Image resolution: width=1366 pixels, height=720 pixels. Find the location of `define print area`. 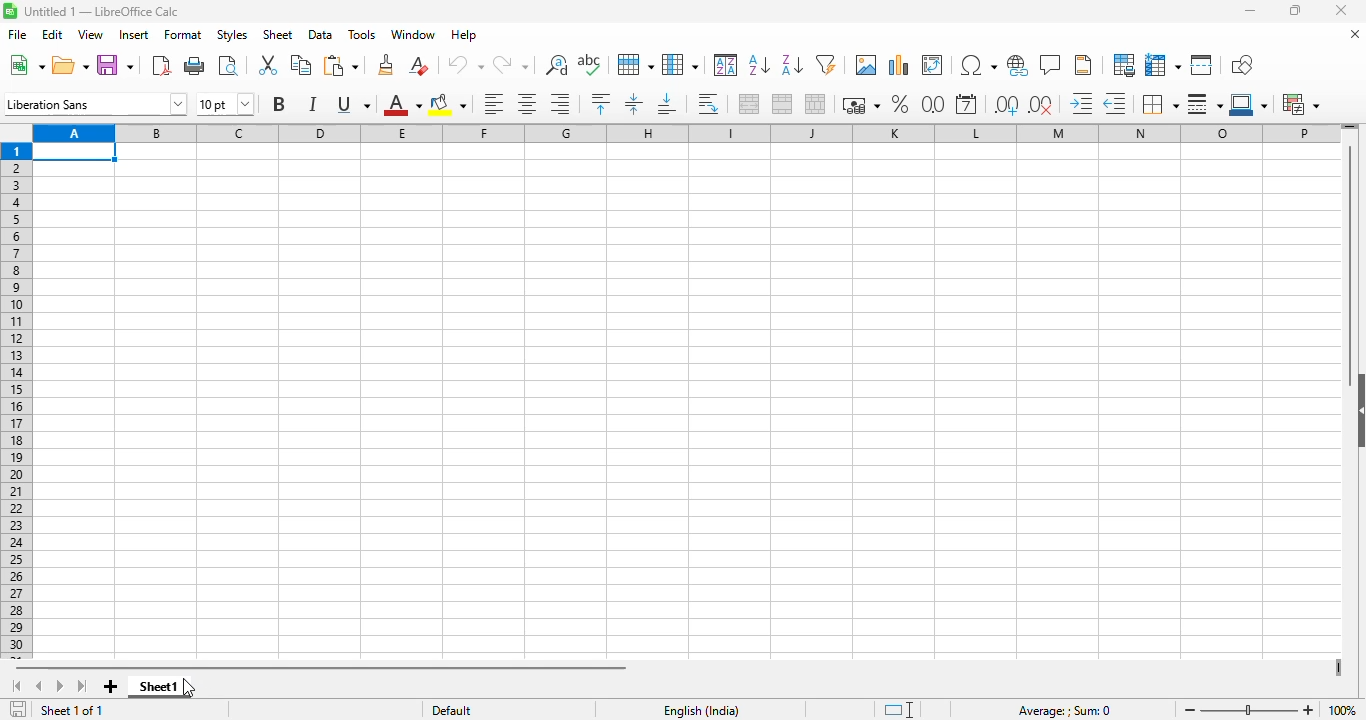

define print area is located at coordinates (1123, 64).